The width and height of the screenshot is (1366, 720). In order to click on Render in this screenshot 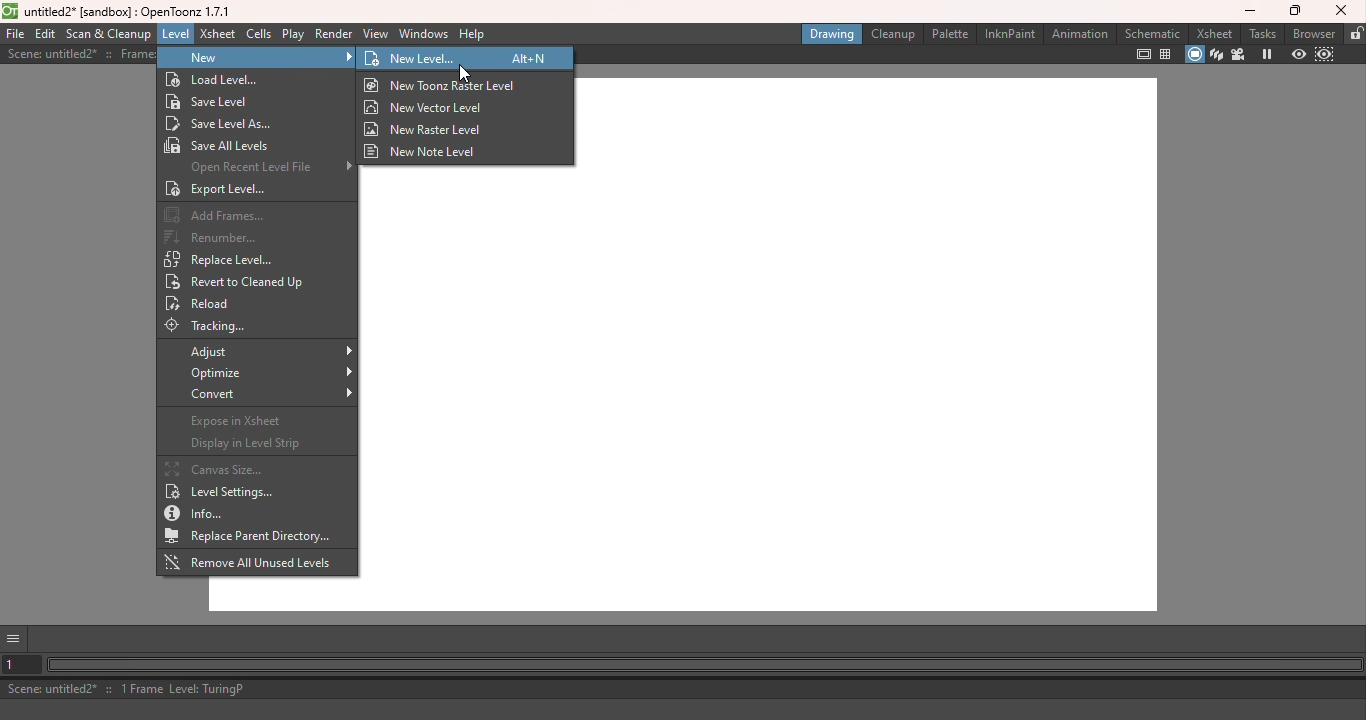, I will do `click(331, 34)`.